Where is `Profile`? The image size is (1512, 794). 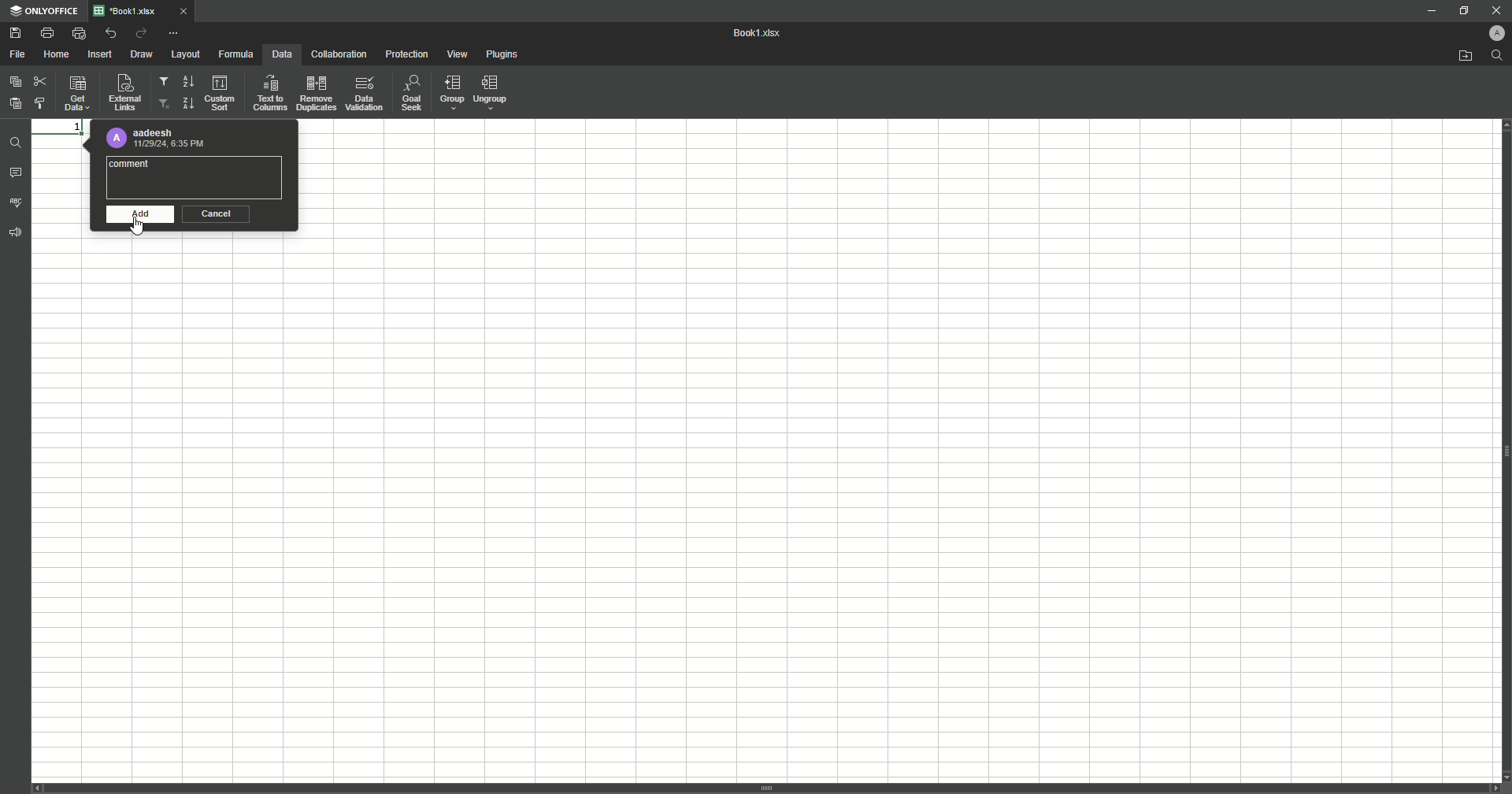 Profile is located at coordinates (1491, 33).